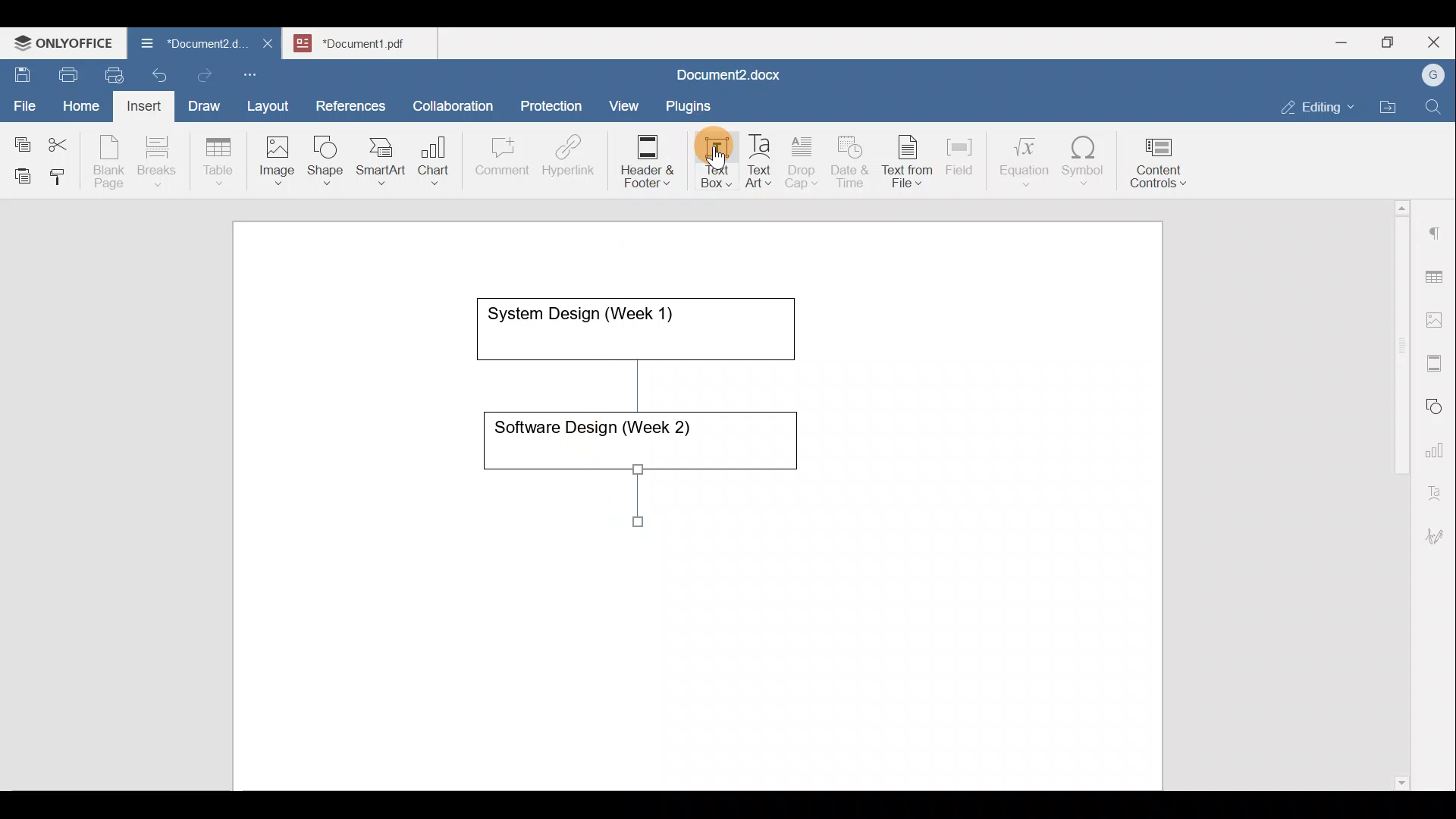 Image resolution: width=1456 pixels, height=819 pixels. Describe the element at coordinates (959, 154) in the screenshot. I see `Field` at that location.